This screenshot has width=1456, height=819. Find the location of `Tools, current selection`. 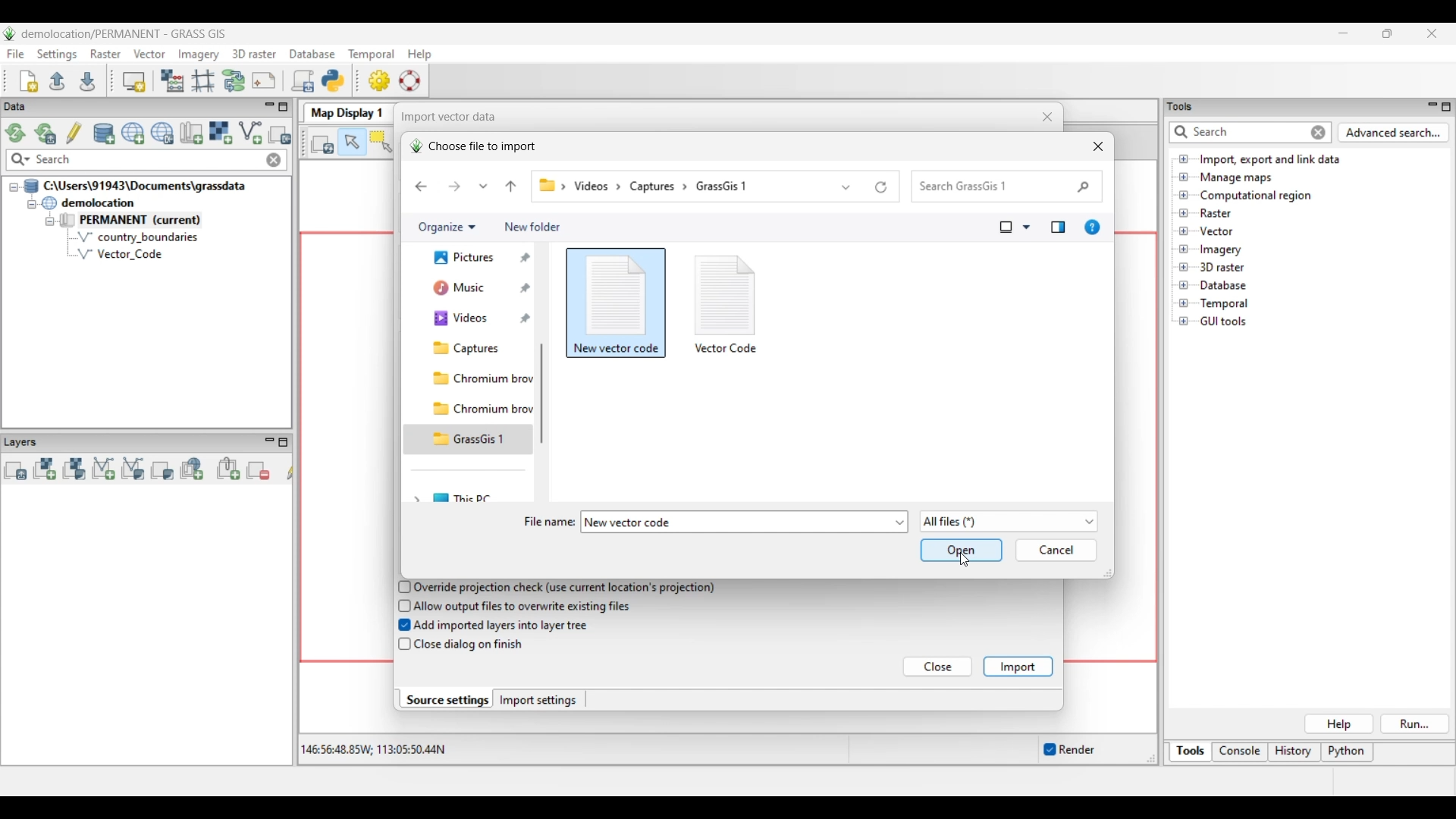

Tools, current selection is located at coordinates (1191, 752).